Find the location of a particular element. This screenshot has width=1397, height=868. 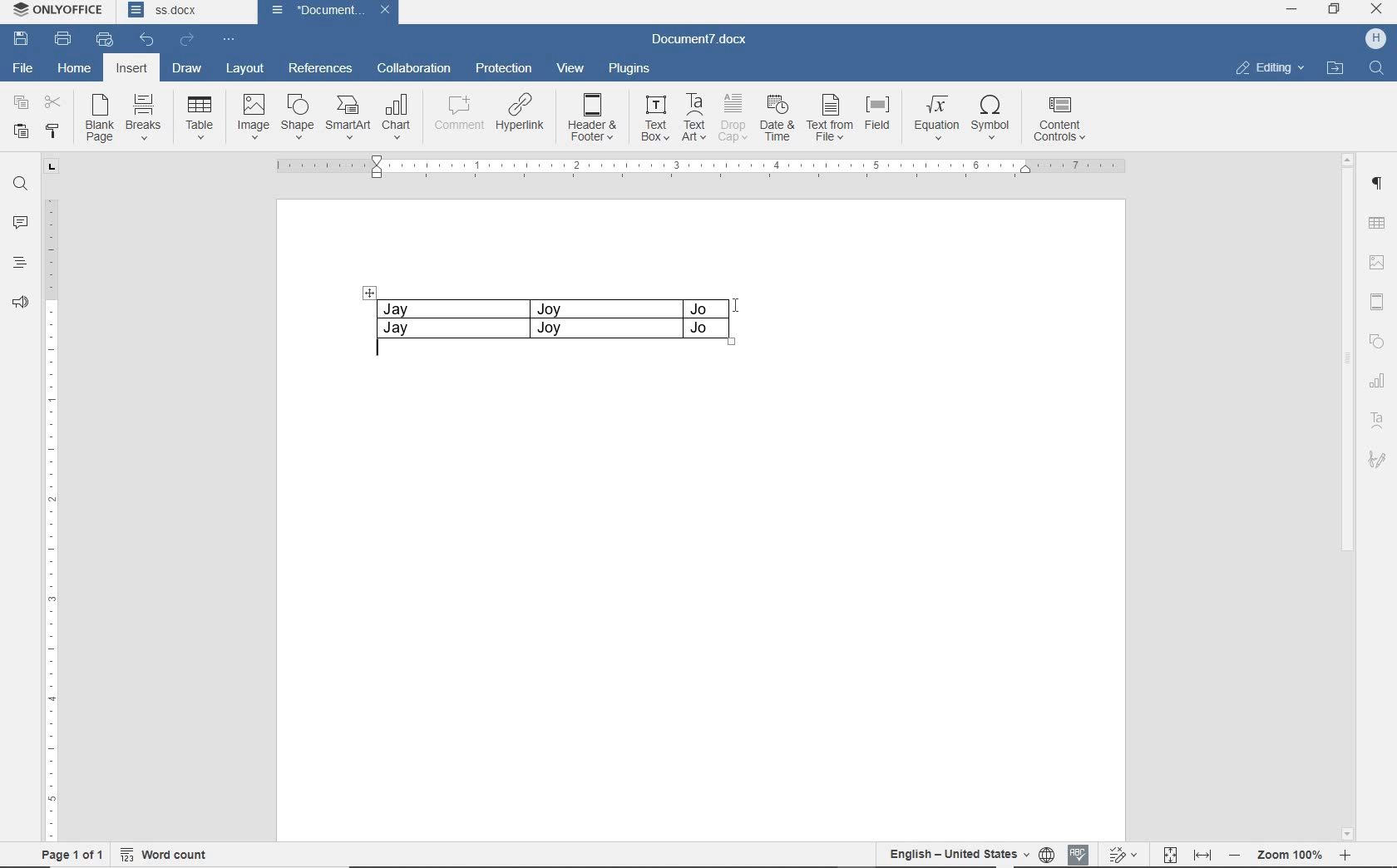

SIGNATURE is located at coordinates (1377, 459).